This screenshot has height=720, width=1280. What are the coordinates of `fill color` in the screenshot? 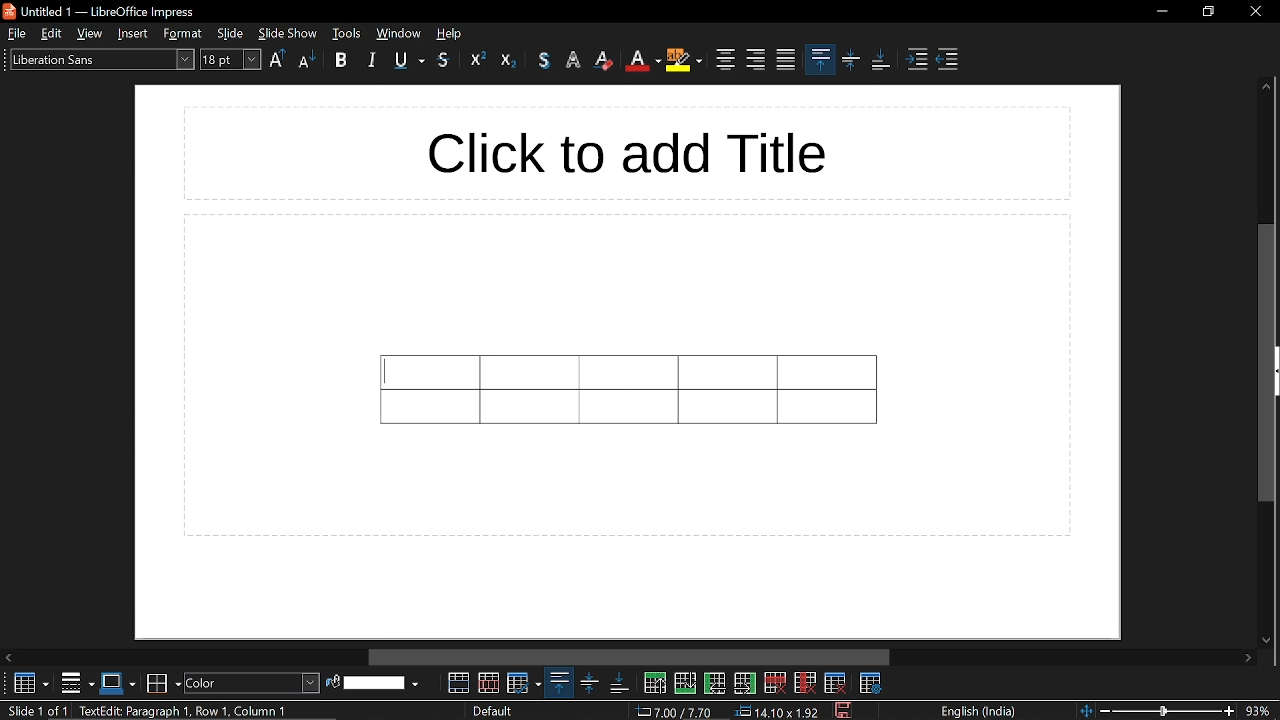 It's located at (331, 682).